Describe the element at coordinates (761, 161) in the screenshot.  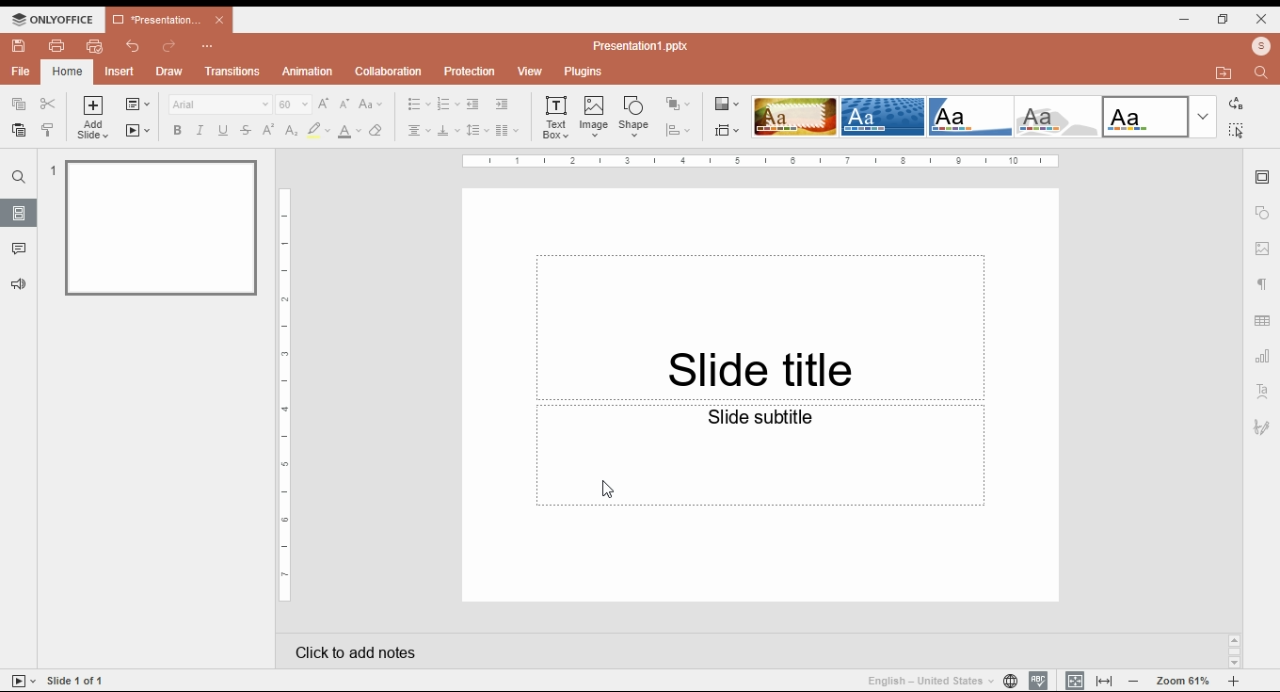
I see `Page Scale` at that location.